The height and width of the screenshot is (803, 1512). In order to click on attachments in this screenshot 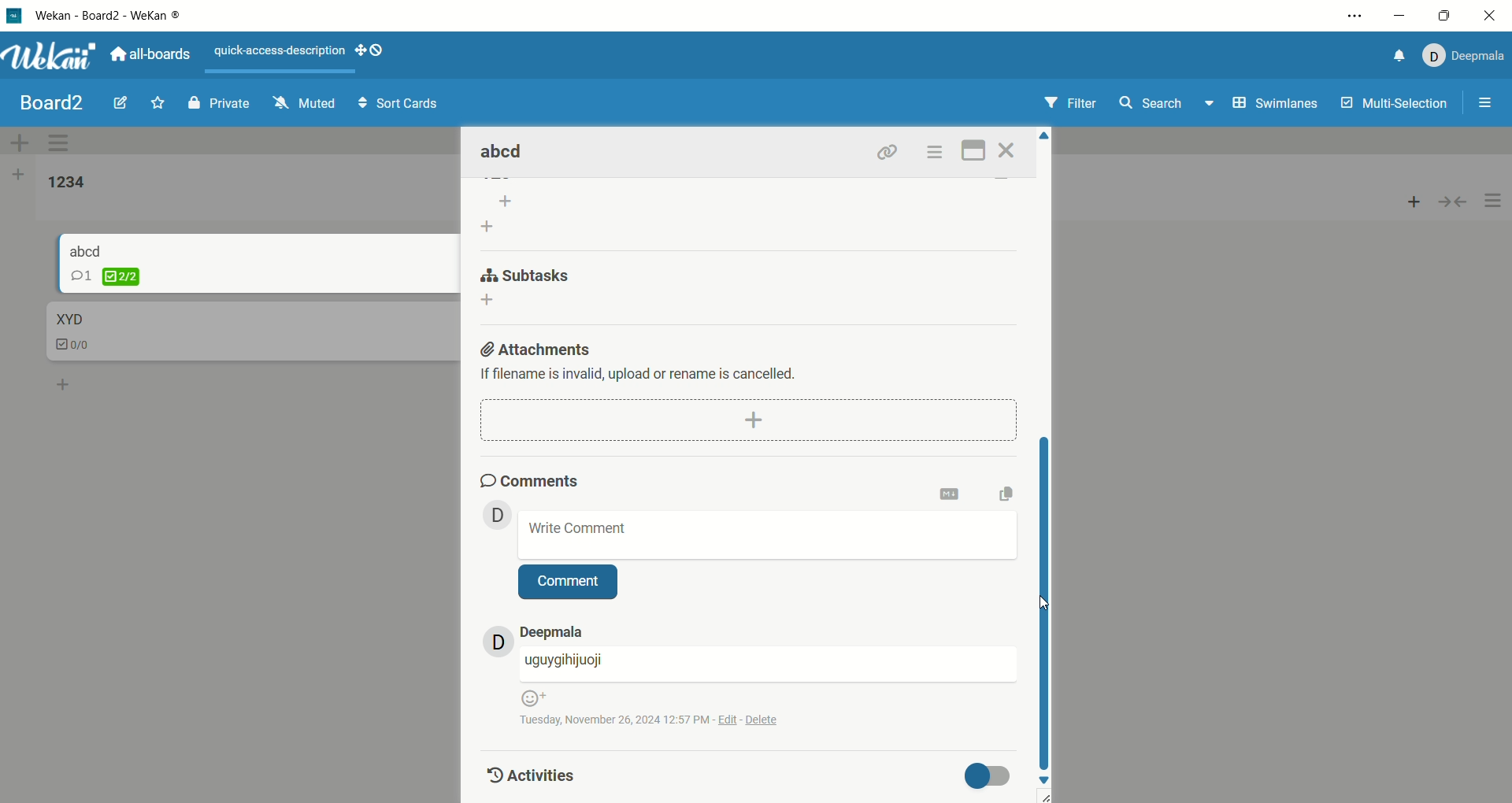, I will do `click(538, 346)`.